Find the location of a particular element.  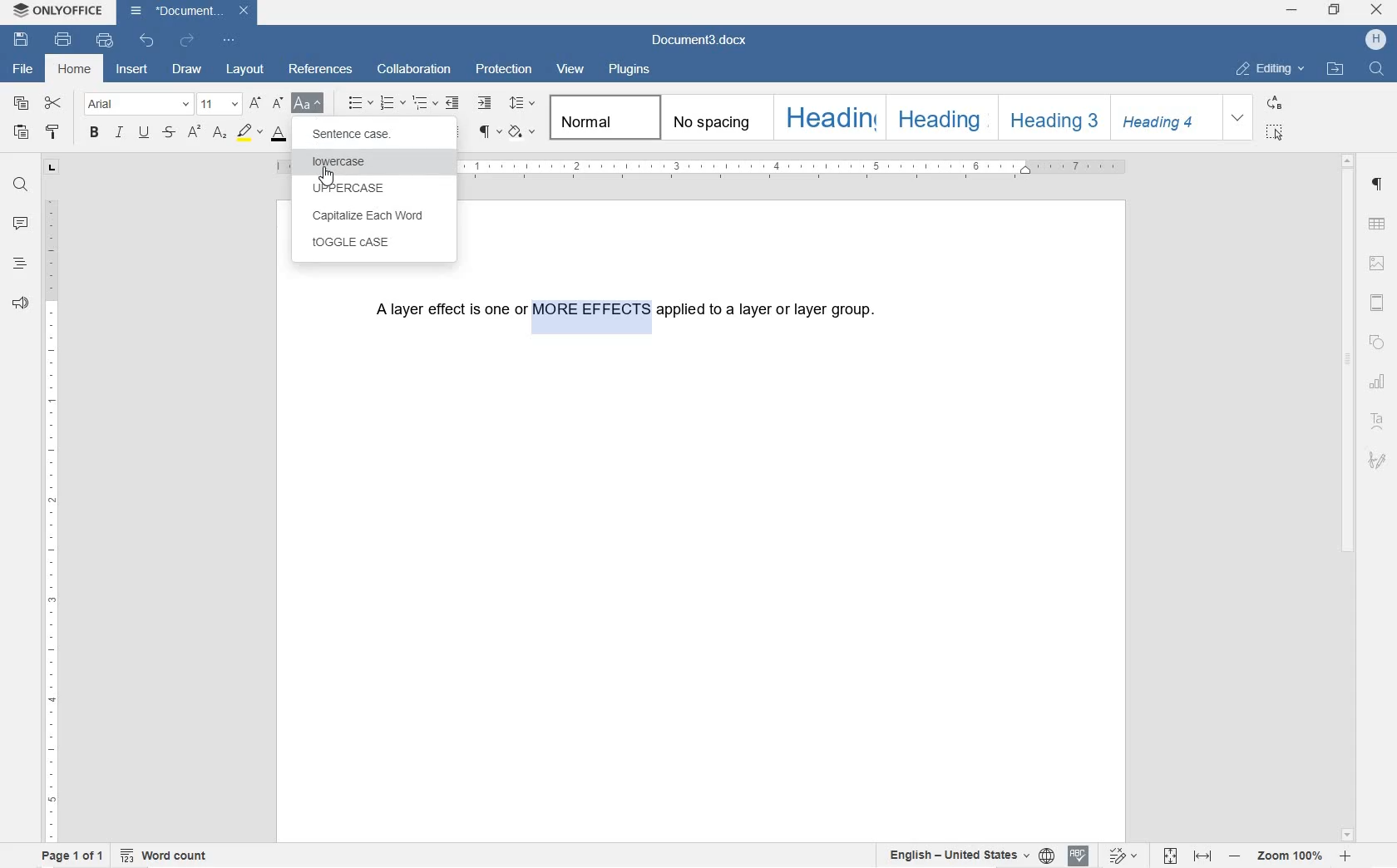

CLOSE is located at coordinates (1377, 12).